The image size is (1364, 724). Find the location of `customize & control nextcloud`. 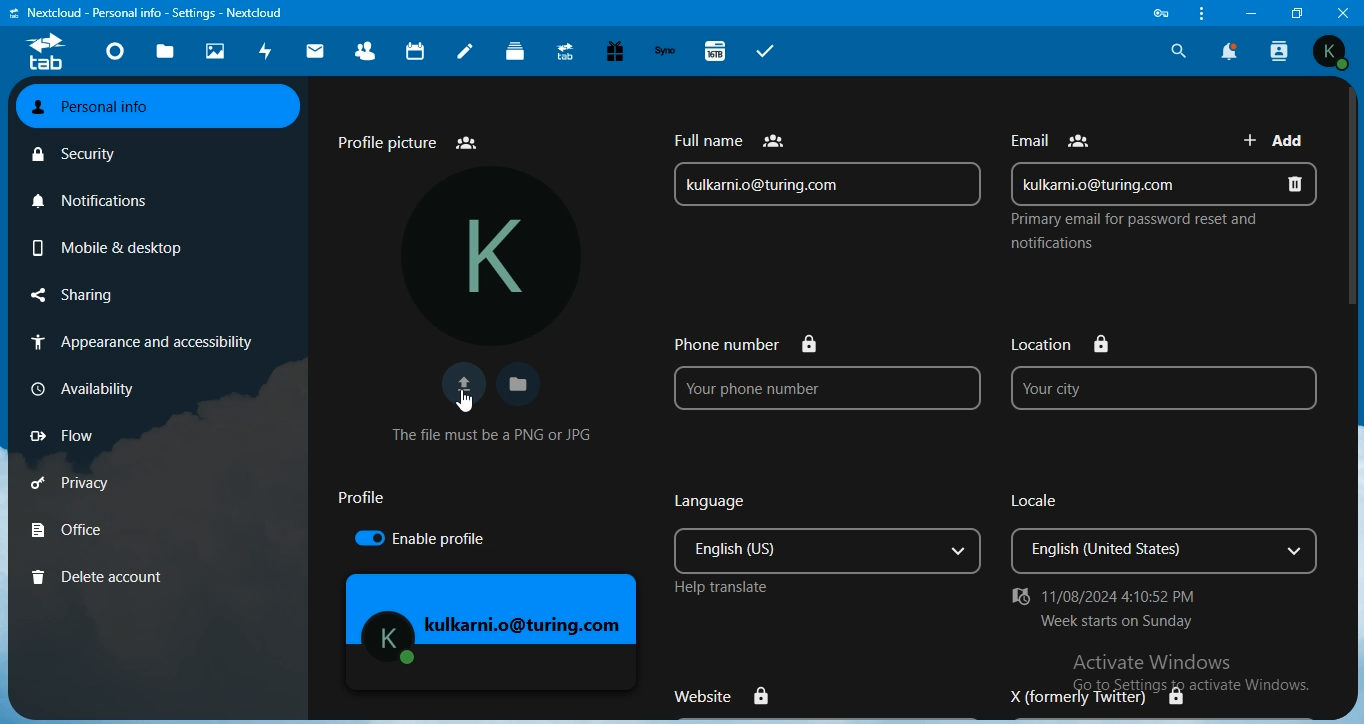

customize & control nextcloud is located at coordinates (1199, 14).